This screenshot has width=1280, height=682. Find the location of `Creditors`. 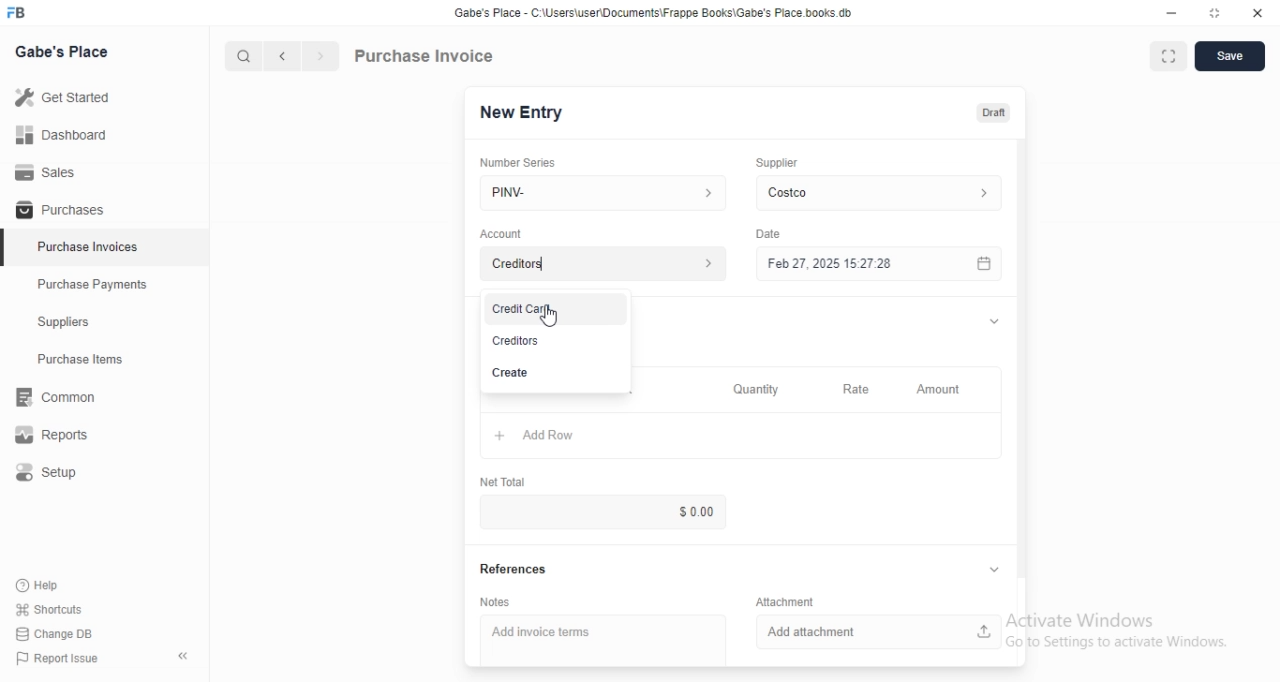

Creditors is located at coordinates (555, 341).